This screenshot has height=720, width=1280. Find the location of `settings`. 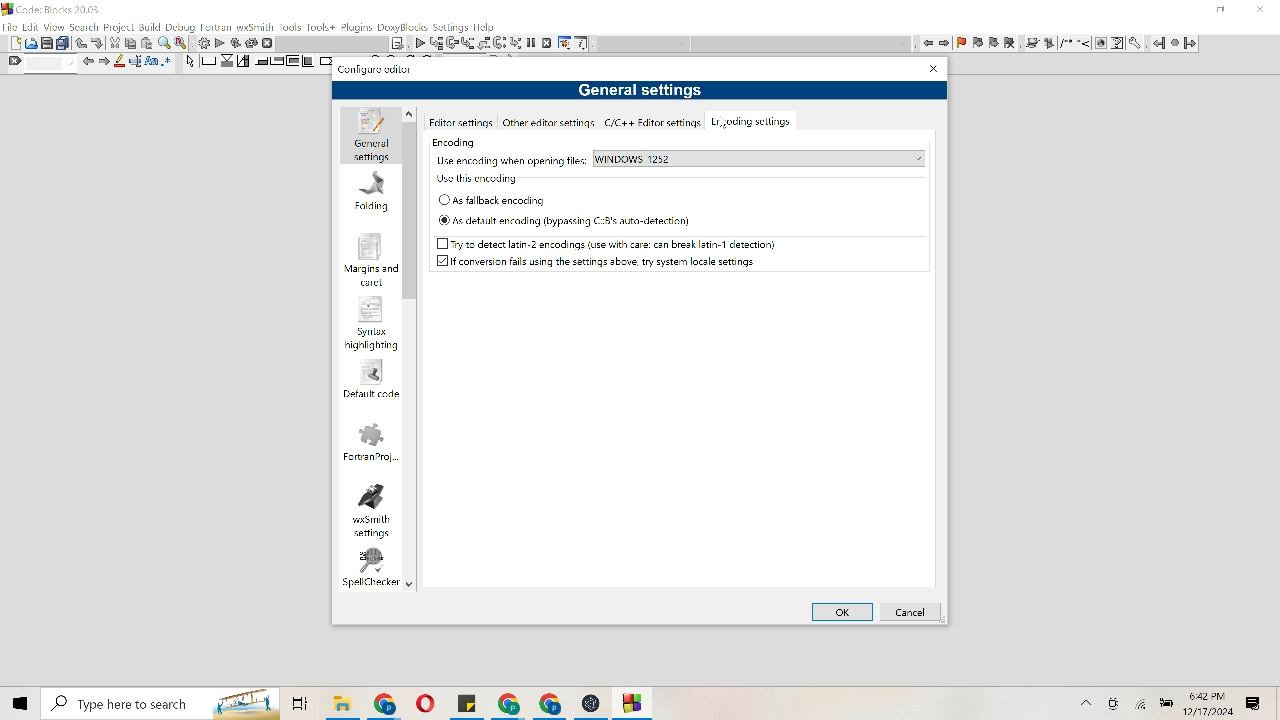

settings is located at coordinates (451, 28).